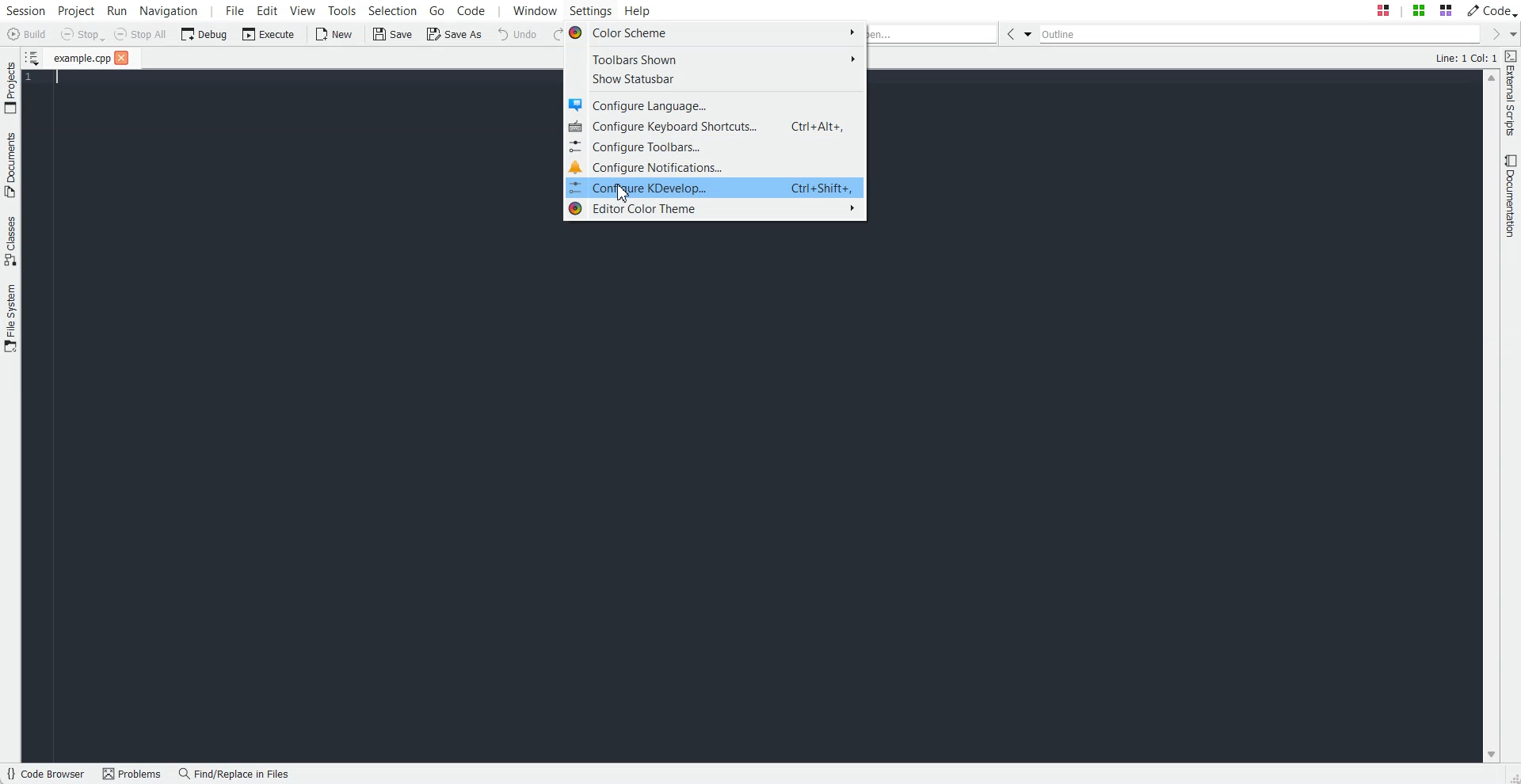 The image size is (1521, 784). I want to click on Configure Keyboard shortcuts, so click(715, 126).